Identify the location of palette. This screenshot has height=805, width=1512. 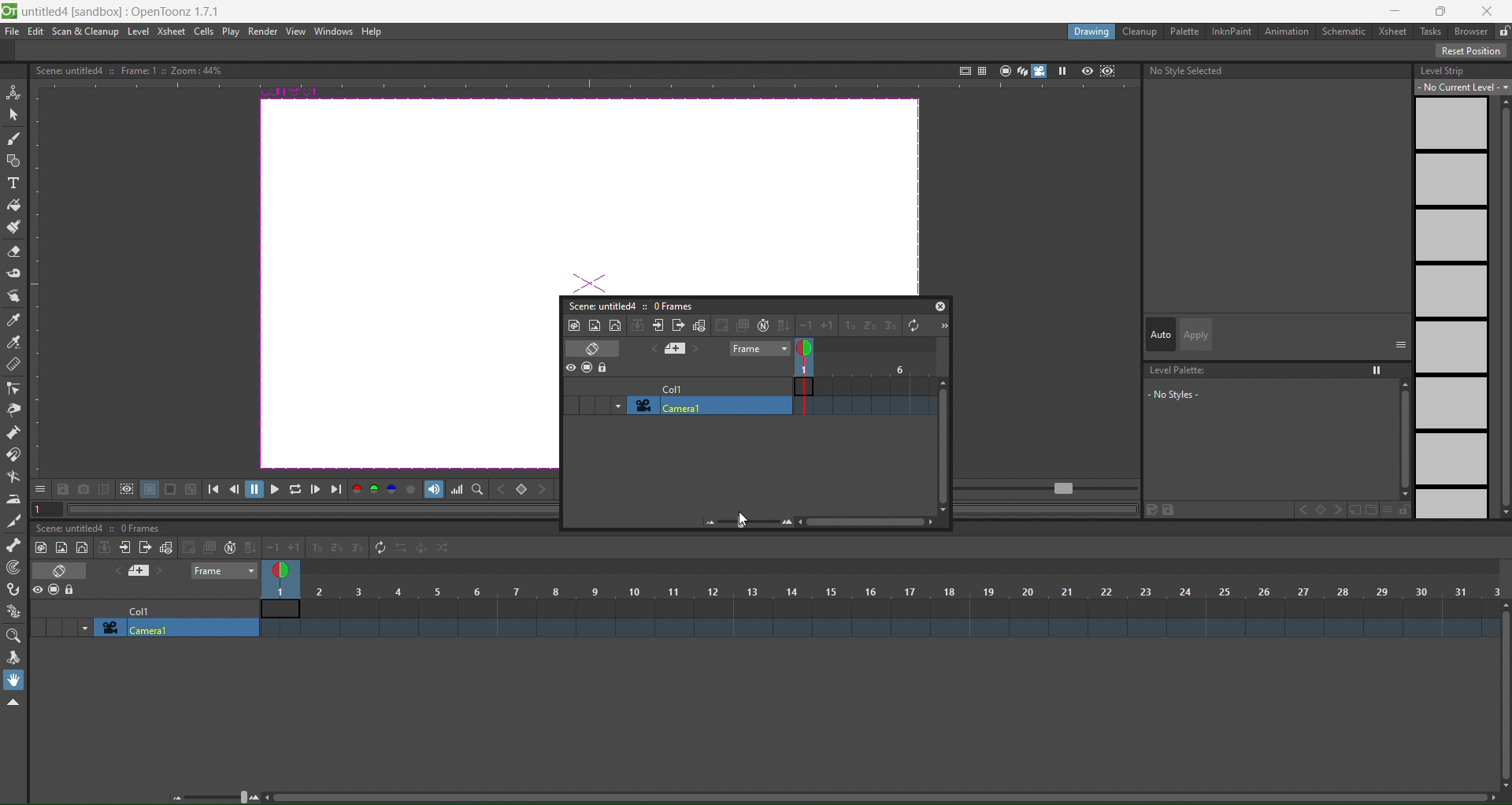
(1186, 31).